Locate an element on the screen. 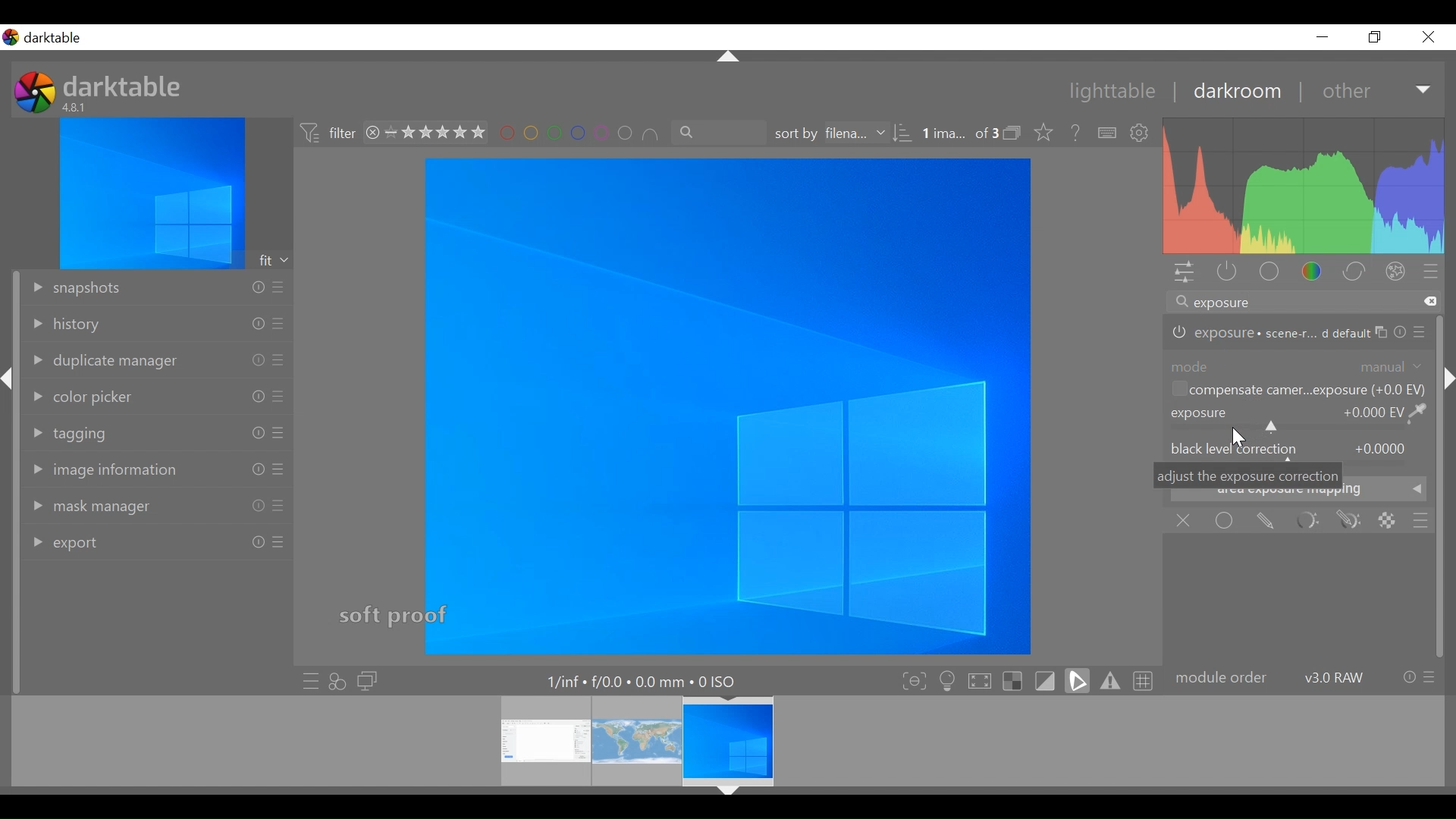 The image size is (1456, 819). effect is located at coordinates (1396, 271).